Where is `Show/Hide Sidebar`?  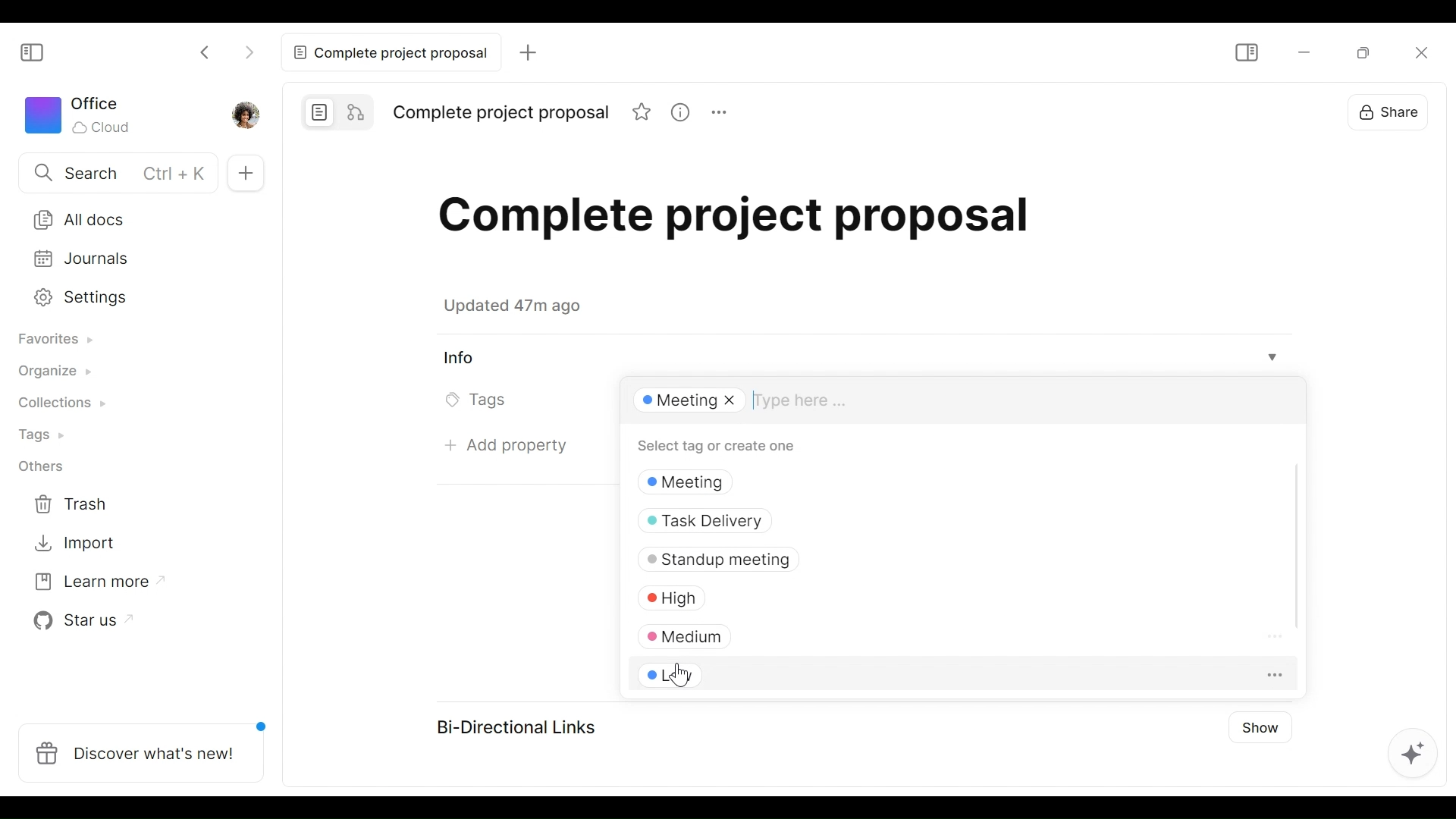
Show/Hide Sidebar is located at coordinates (39, 53).